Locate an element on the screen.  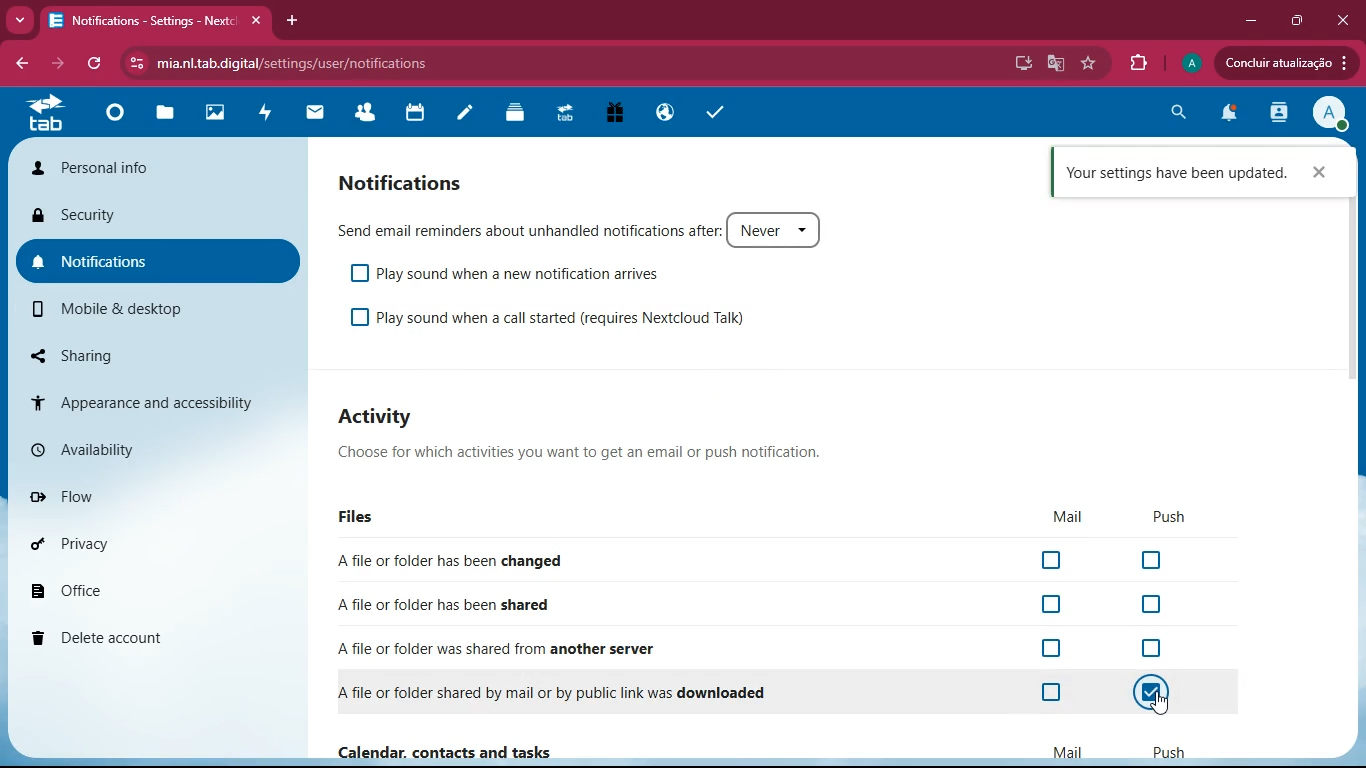
mail is located at coordinates (312, 116).